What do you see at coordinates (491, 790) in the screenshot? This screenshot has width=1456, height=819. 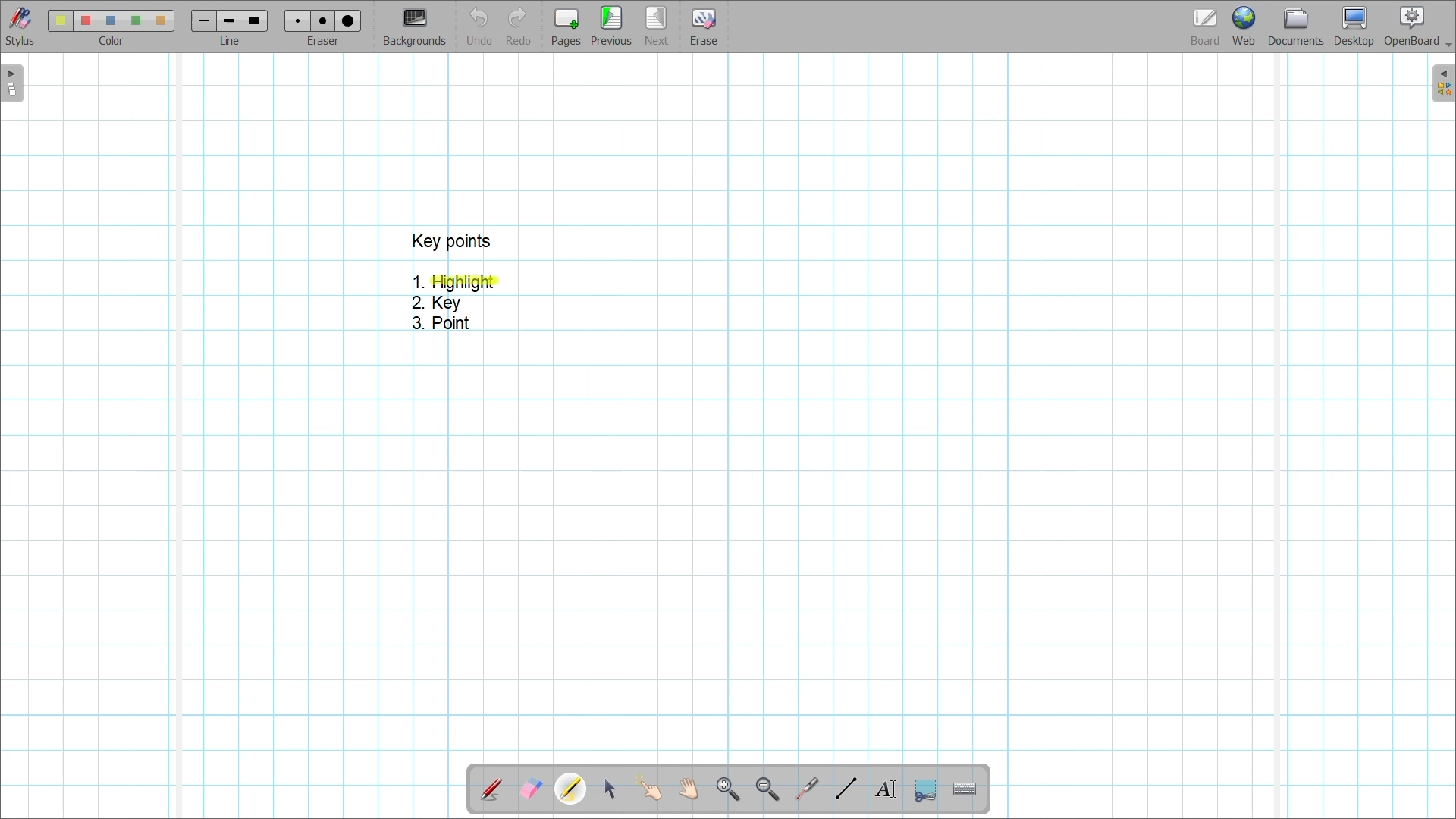 I see `Annotate document` at bounding box center [491, 790].